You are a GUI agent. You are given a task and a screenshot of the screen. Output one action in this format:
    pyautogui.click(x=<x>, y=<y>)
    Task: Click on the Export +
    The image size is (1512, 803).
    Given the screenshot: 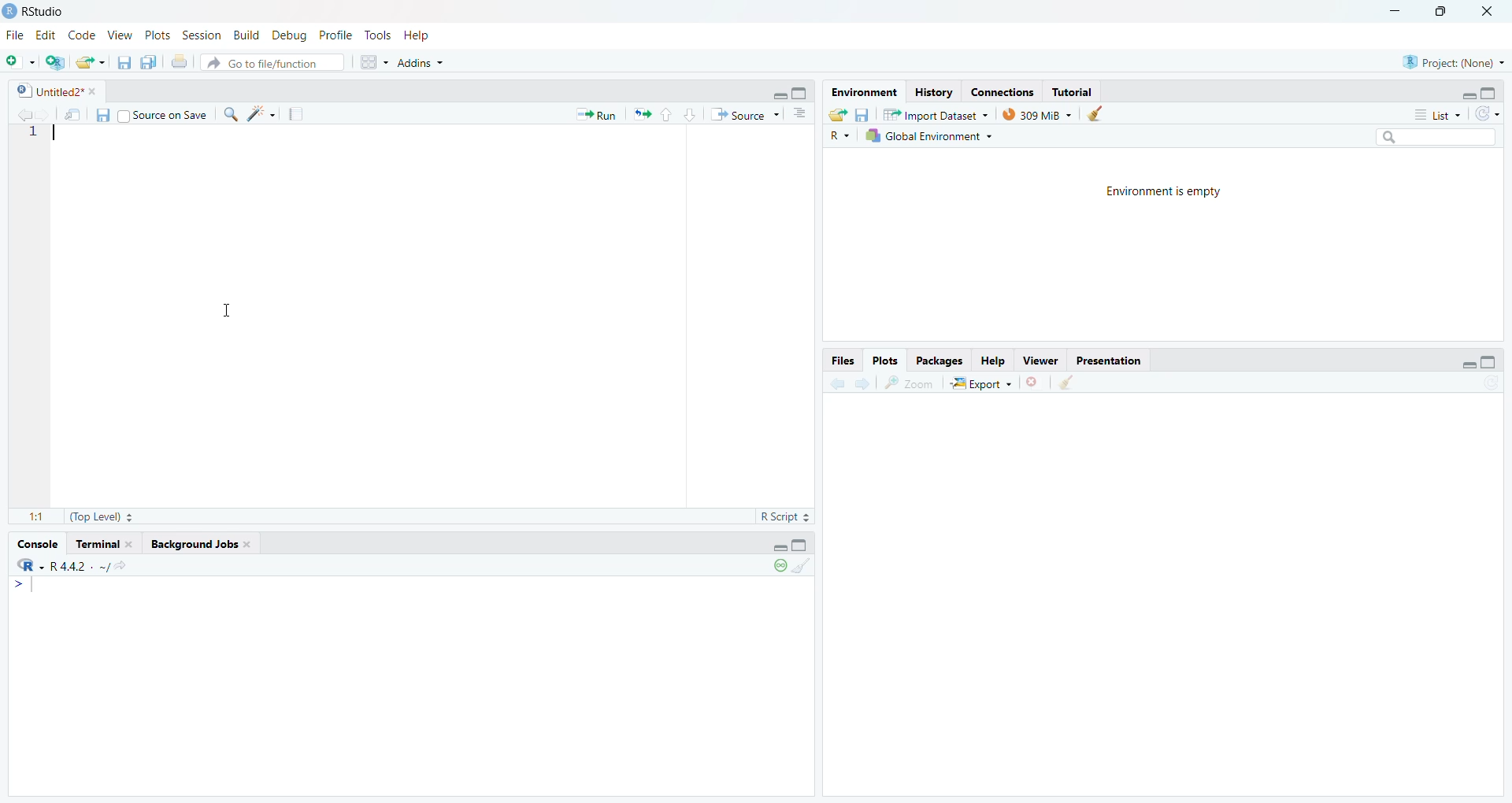 What is the action you would take?
    pyautogui.click(x=980, y=383)
    